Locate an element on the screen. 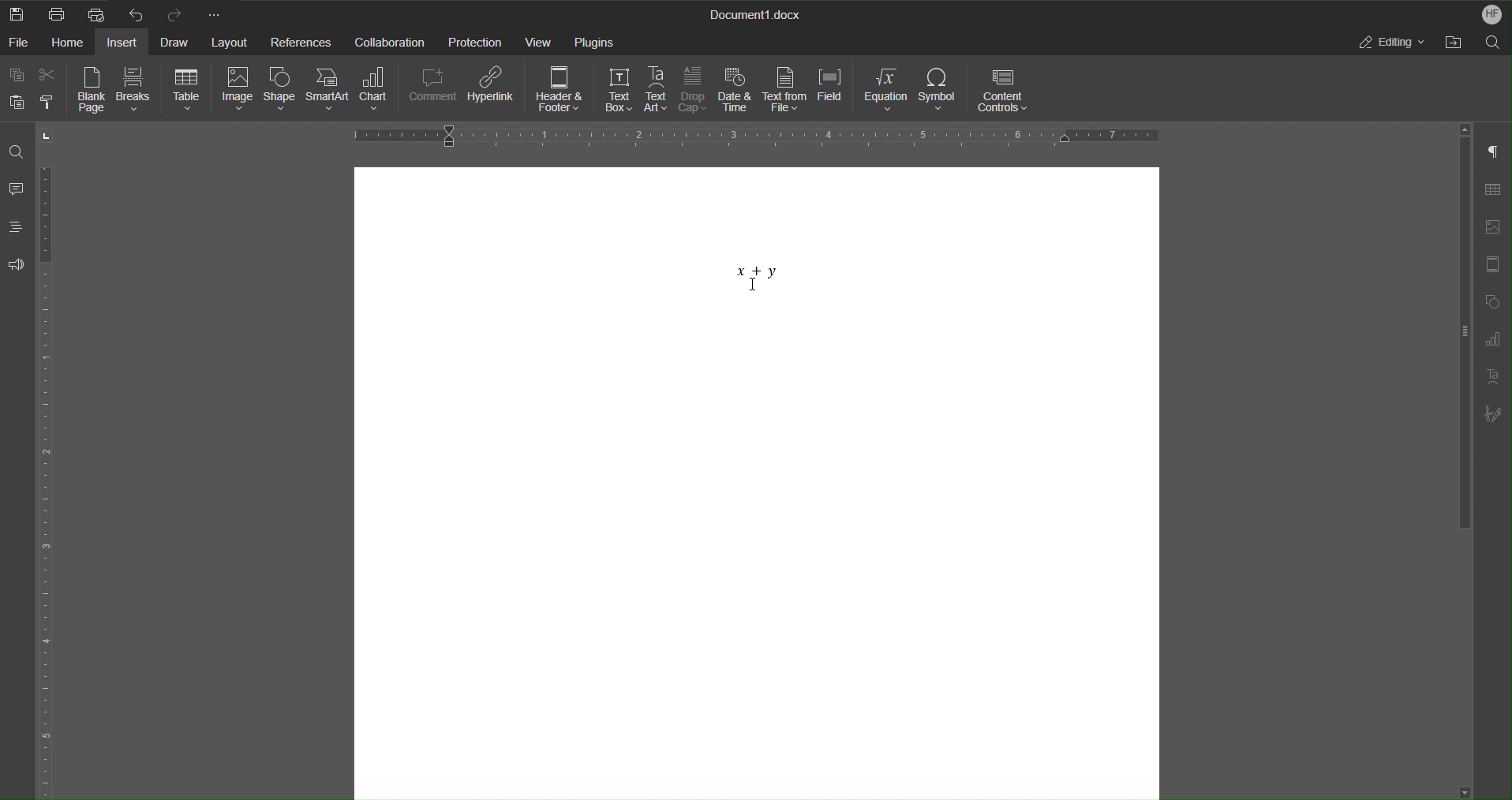  Text Art is located at coordinates (657, 92).